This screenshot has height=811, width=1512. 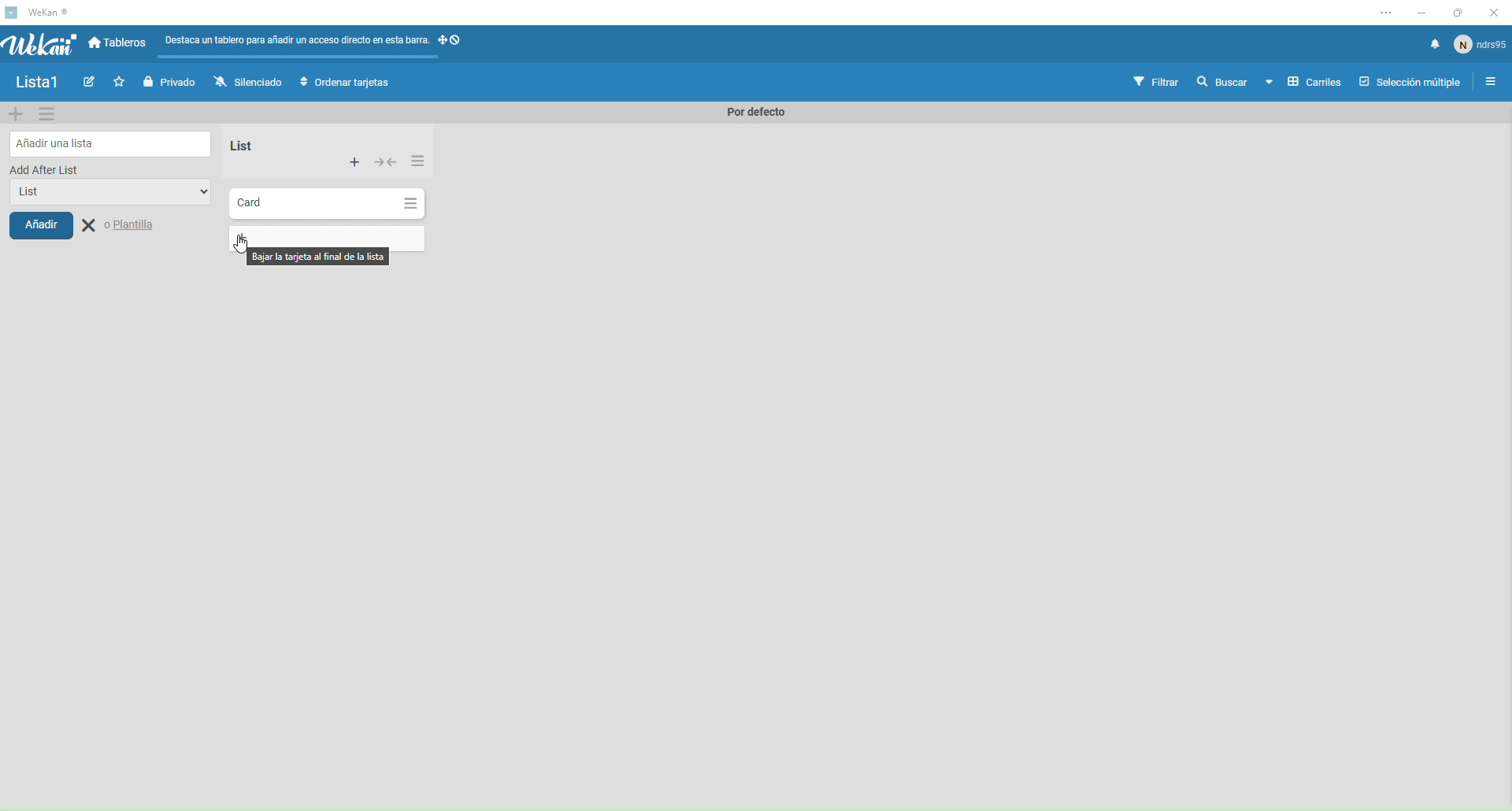 What do you see at coordinates (1303, 83) in the screenshot?
I see `Swimlines` at bounding box center [1303, 83].